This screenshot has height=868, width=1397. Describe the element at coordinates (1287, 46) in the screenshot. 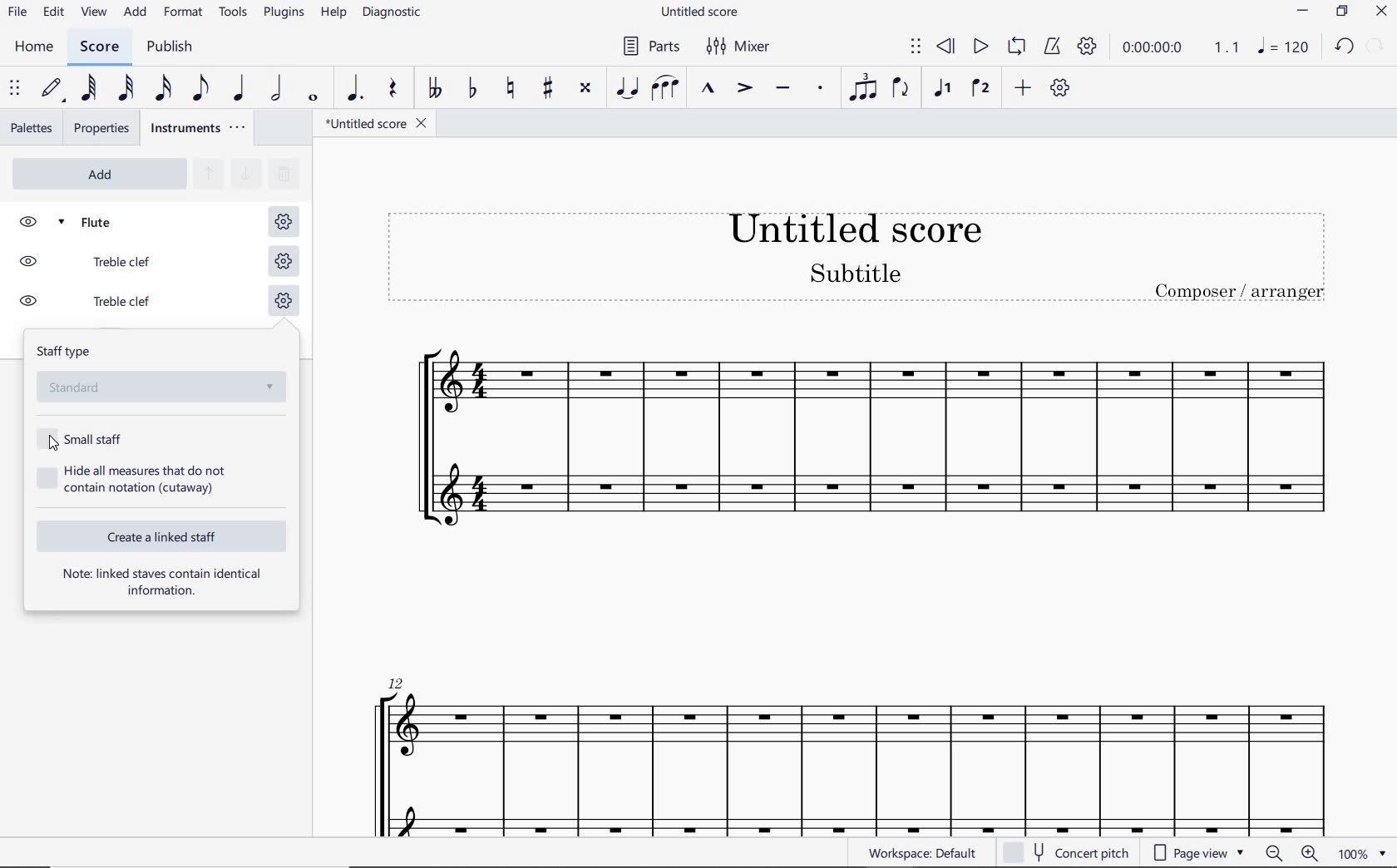

I see `note` at that location.